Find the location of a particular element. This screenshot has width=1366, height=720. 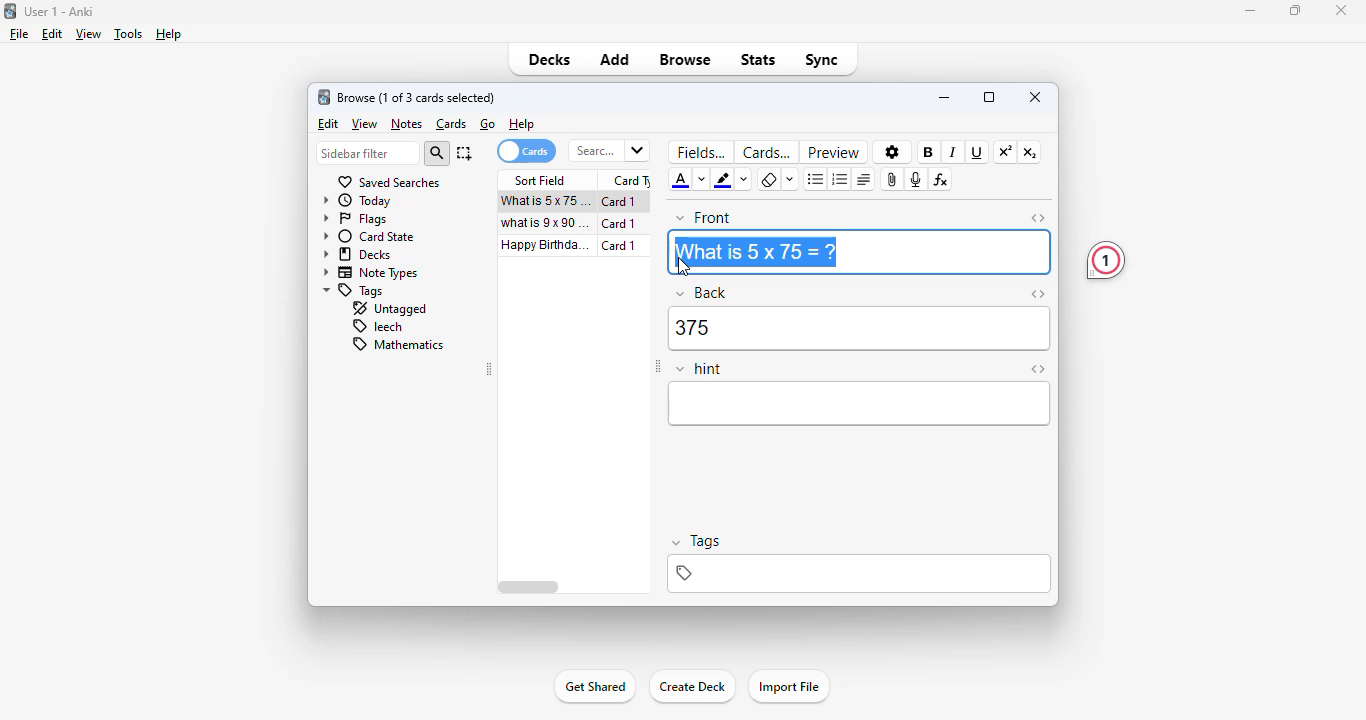

edit is located at coordinates (328, 123).